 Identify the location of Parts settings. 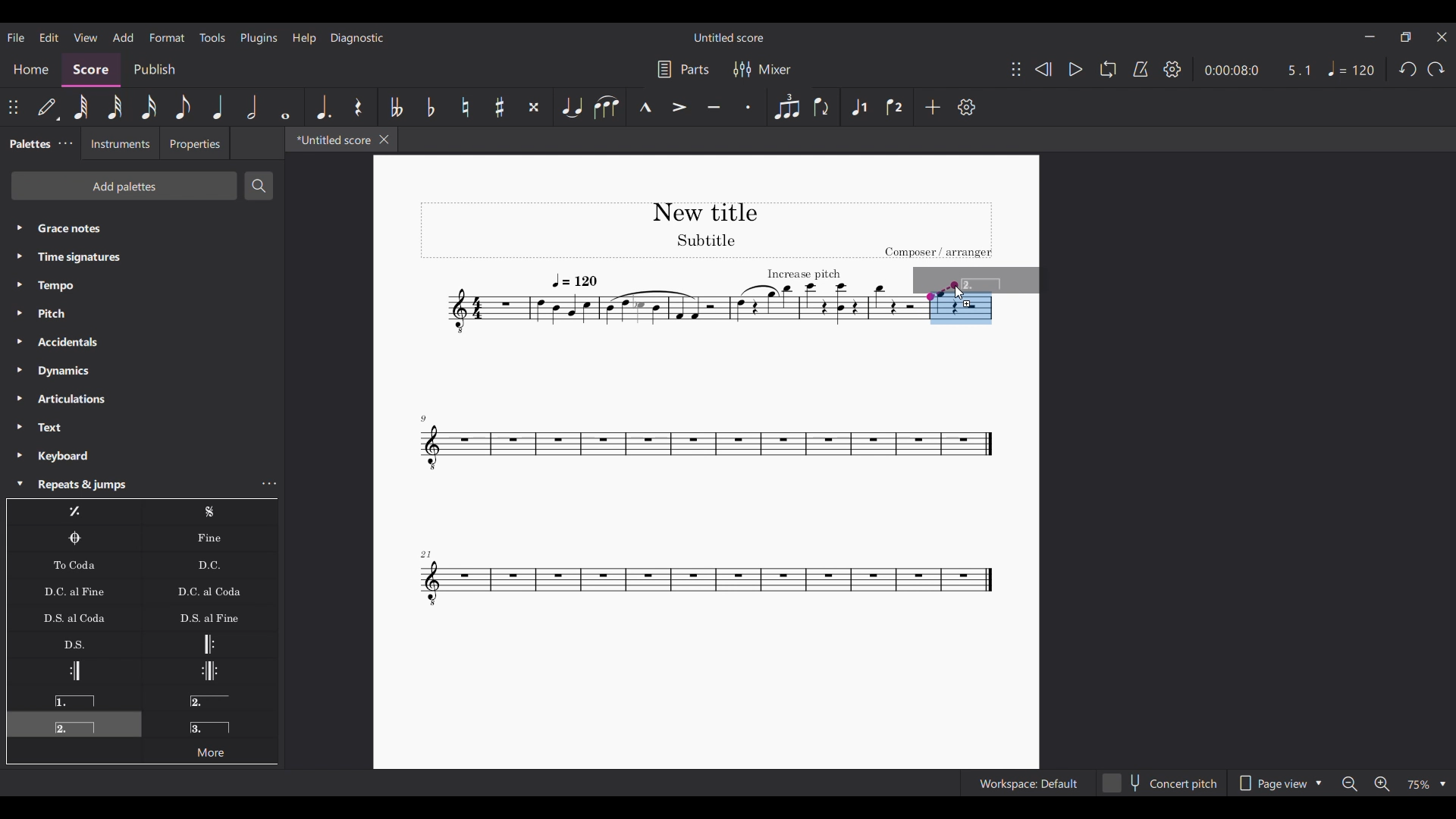
(684, 69).